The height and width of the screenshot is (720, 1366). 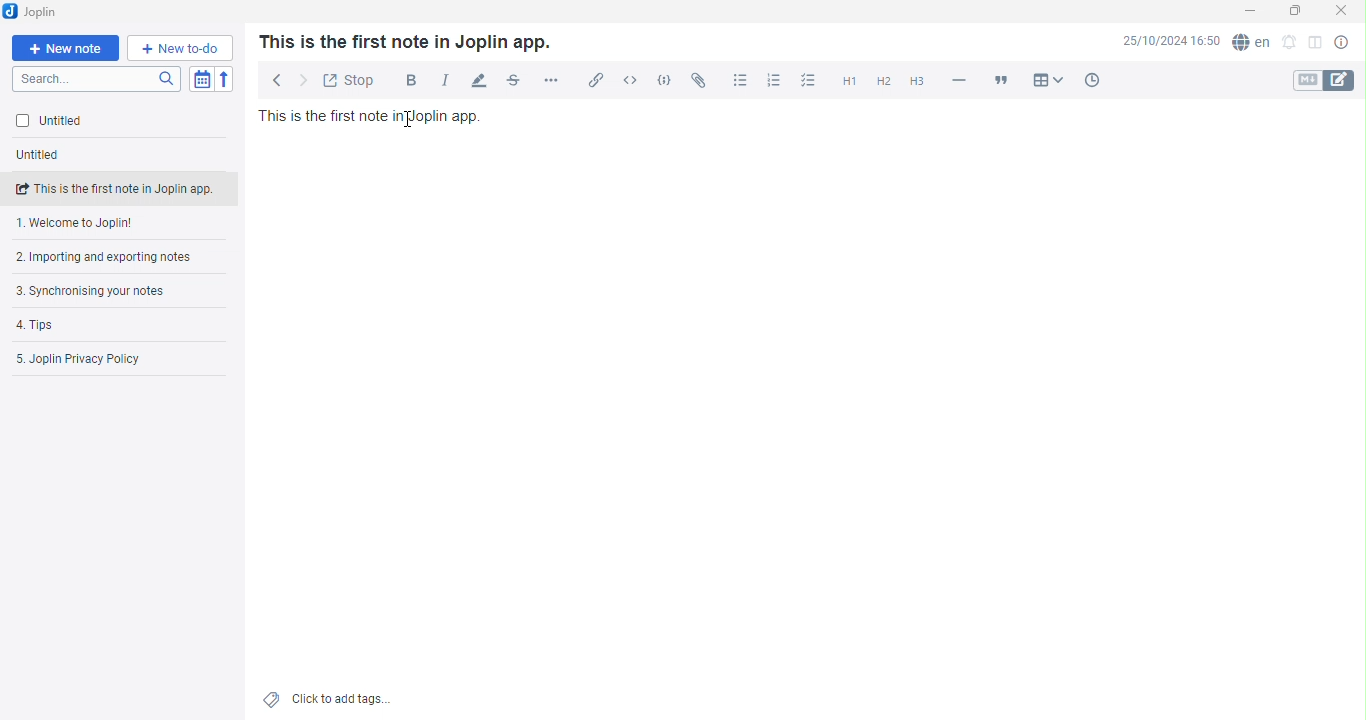 What do you see at coordinates (204, 79) in the screenshot?
I see `Toggle sort order field` at bounding box center [204, 79].